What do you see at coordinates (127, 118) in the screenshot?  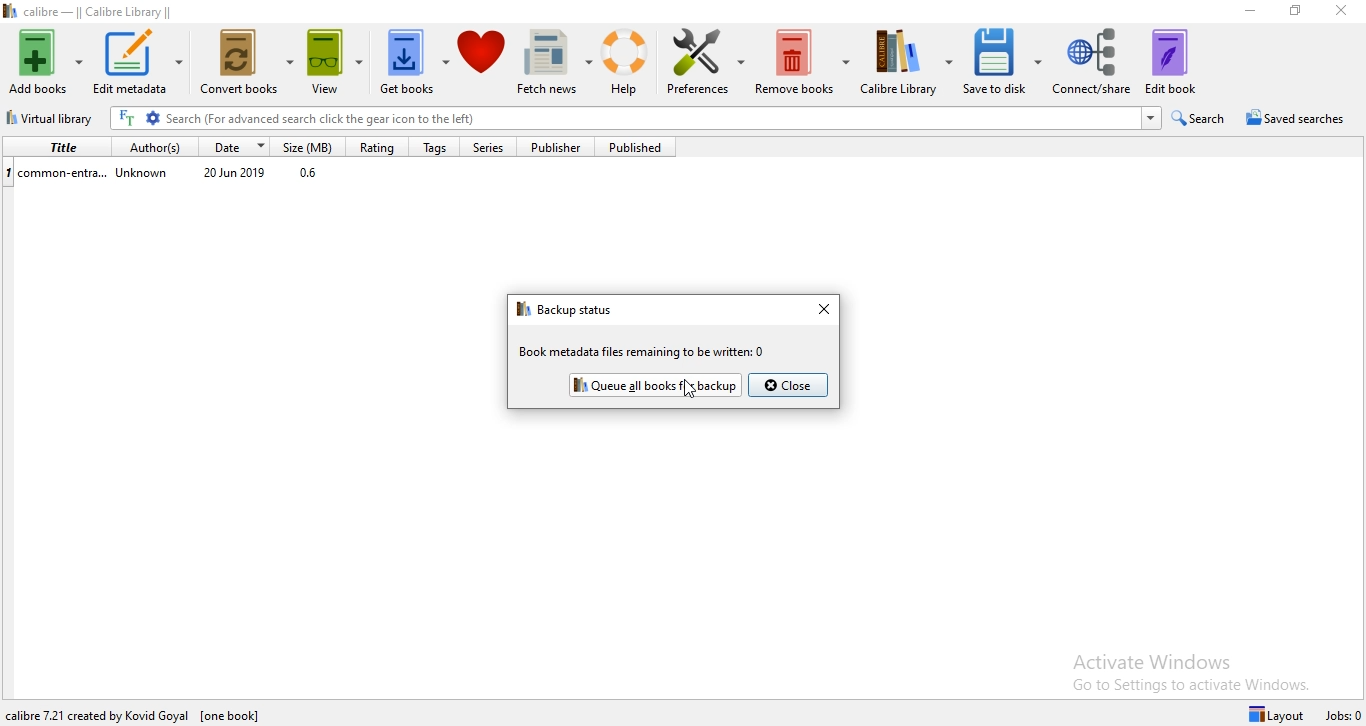 I see `Search the full text of all books in the library, not just their metadata` at bounding box center [127, 118].